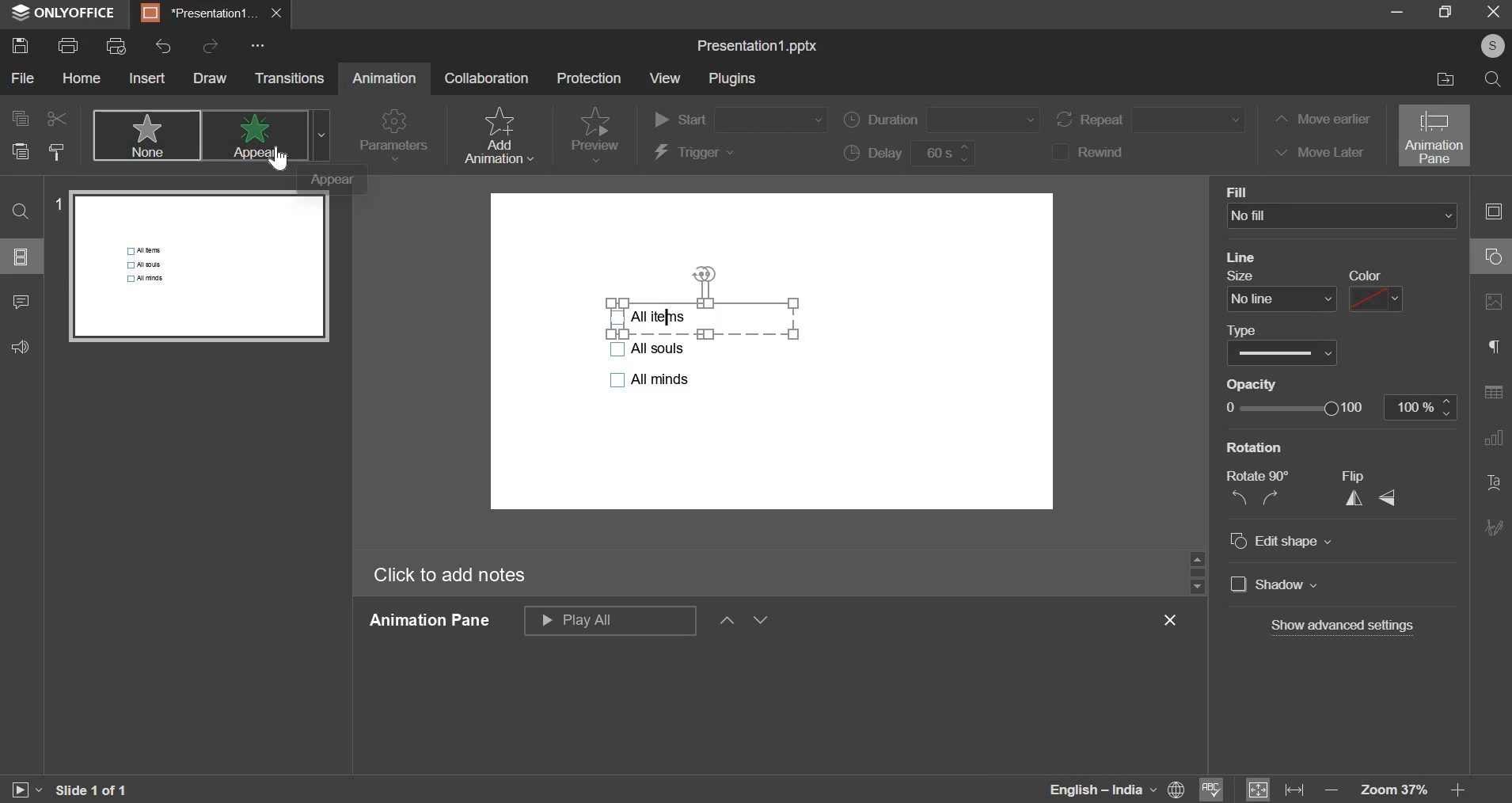 The width and height of the screenshot is (1512, 803). What do you see at coordinates (1406, 790) in the screenshot?
I see `zoom` at bounding box center [1406, 790].